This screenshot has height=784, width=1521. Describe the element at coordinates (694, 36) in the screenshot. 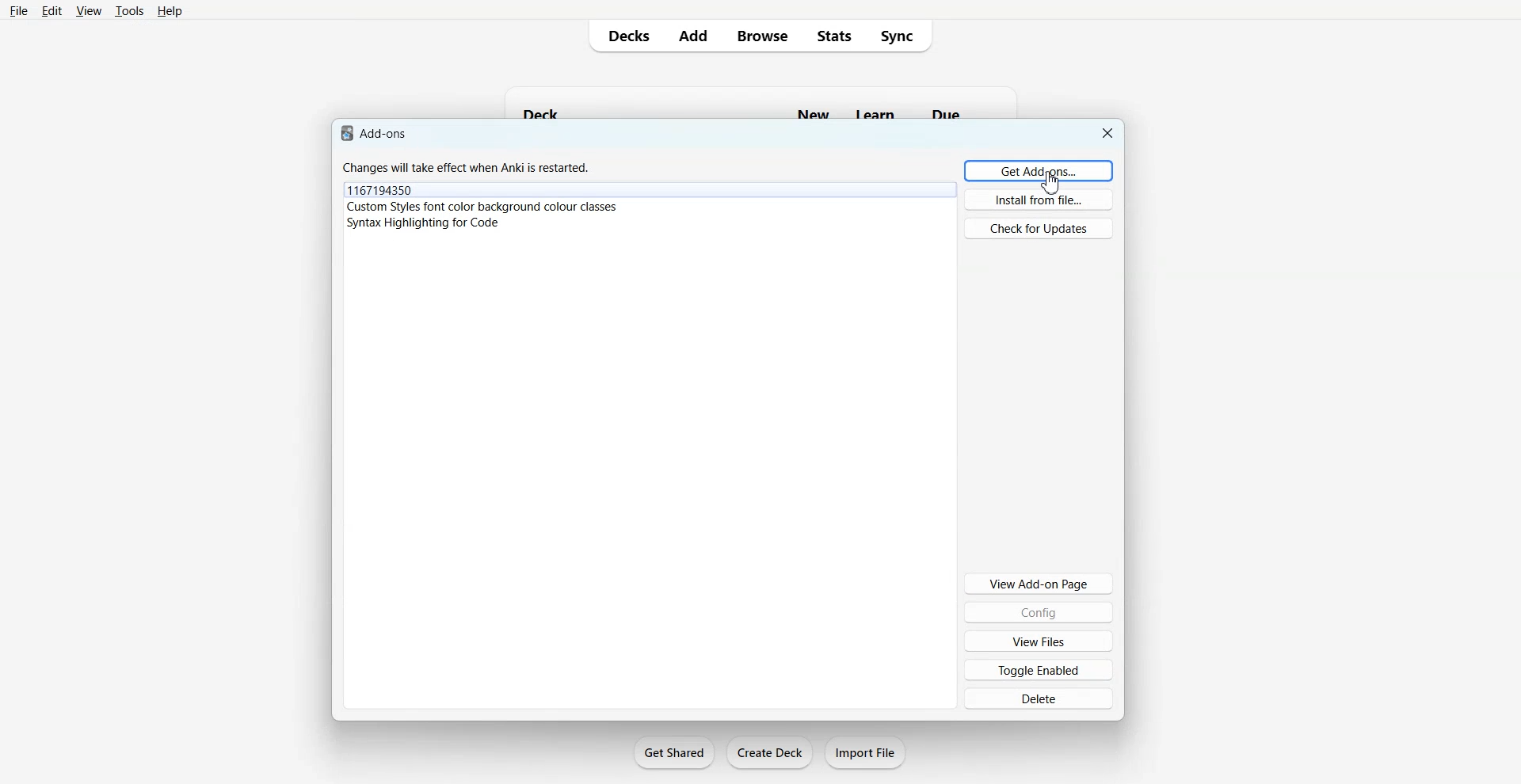

I see `Add` at that location.